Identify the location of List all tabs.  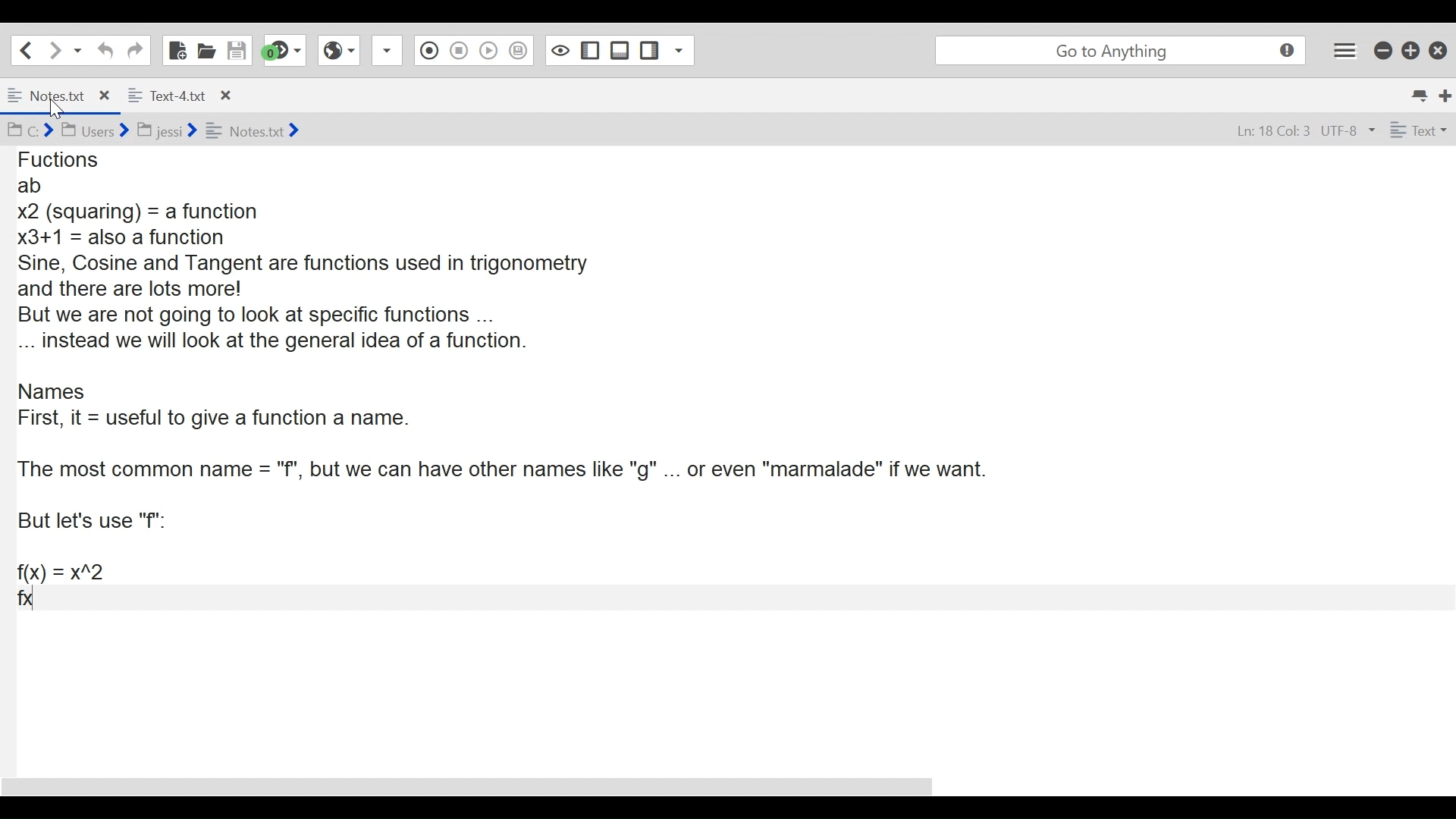
(1418, 93).